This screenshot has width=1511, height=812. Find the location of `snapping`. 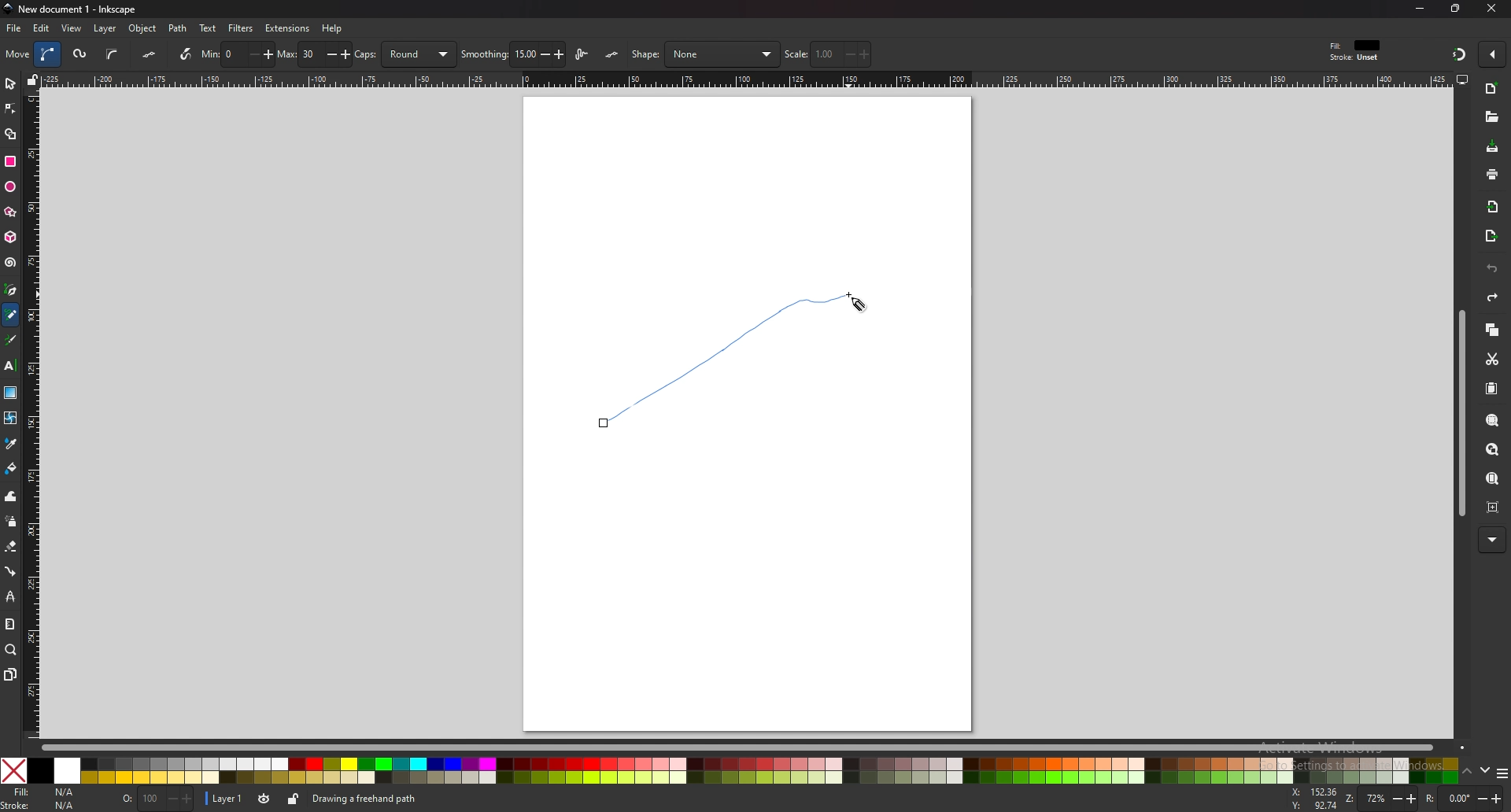

snapping is located at coordinates (1457, 55).